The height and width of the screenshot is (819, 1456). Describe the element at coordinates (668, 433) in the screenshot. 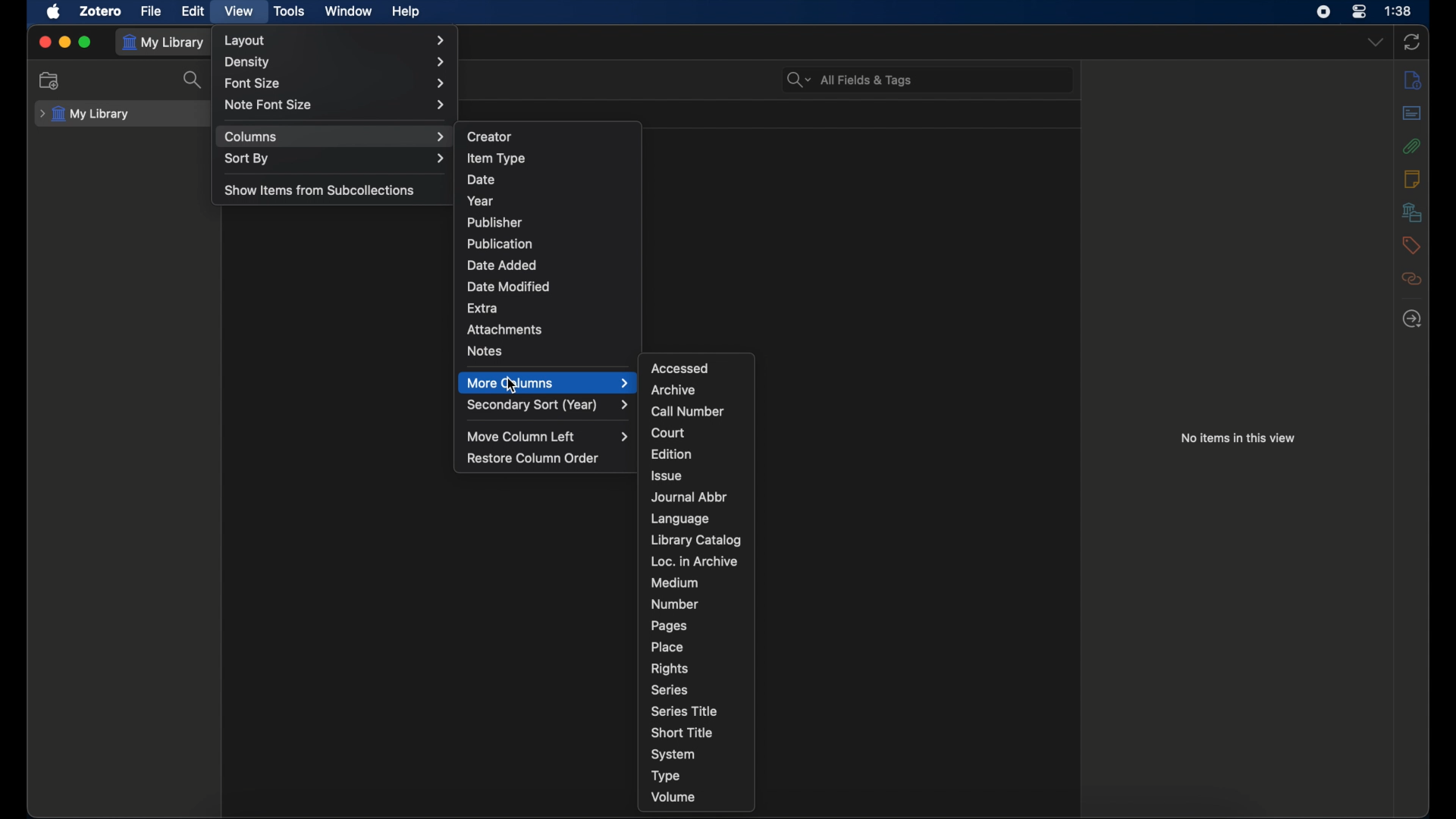

I see `court` at that location.